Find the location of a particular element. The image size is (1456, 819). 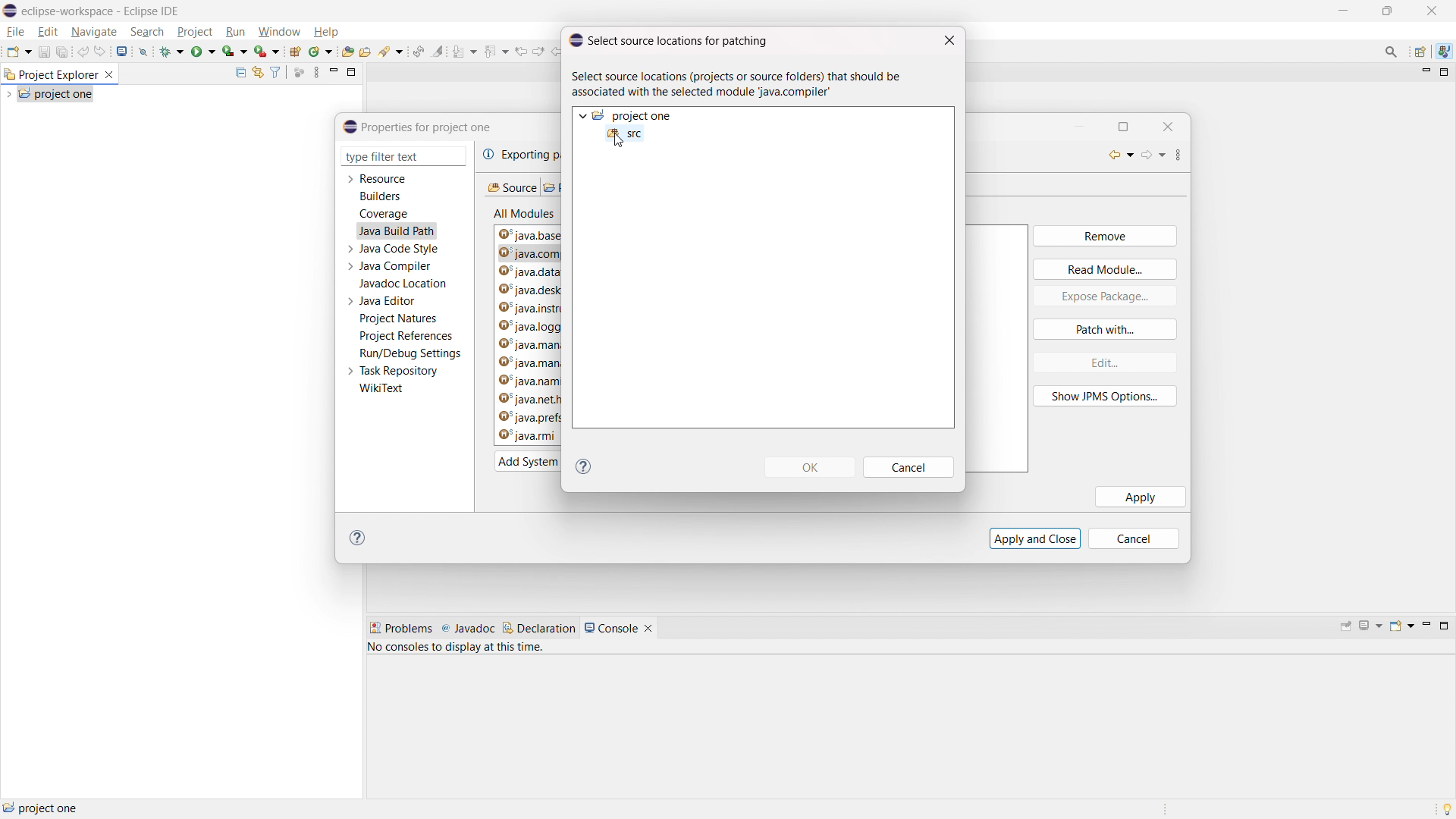

search is located at coordinates (391, 52).